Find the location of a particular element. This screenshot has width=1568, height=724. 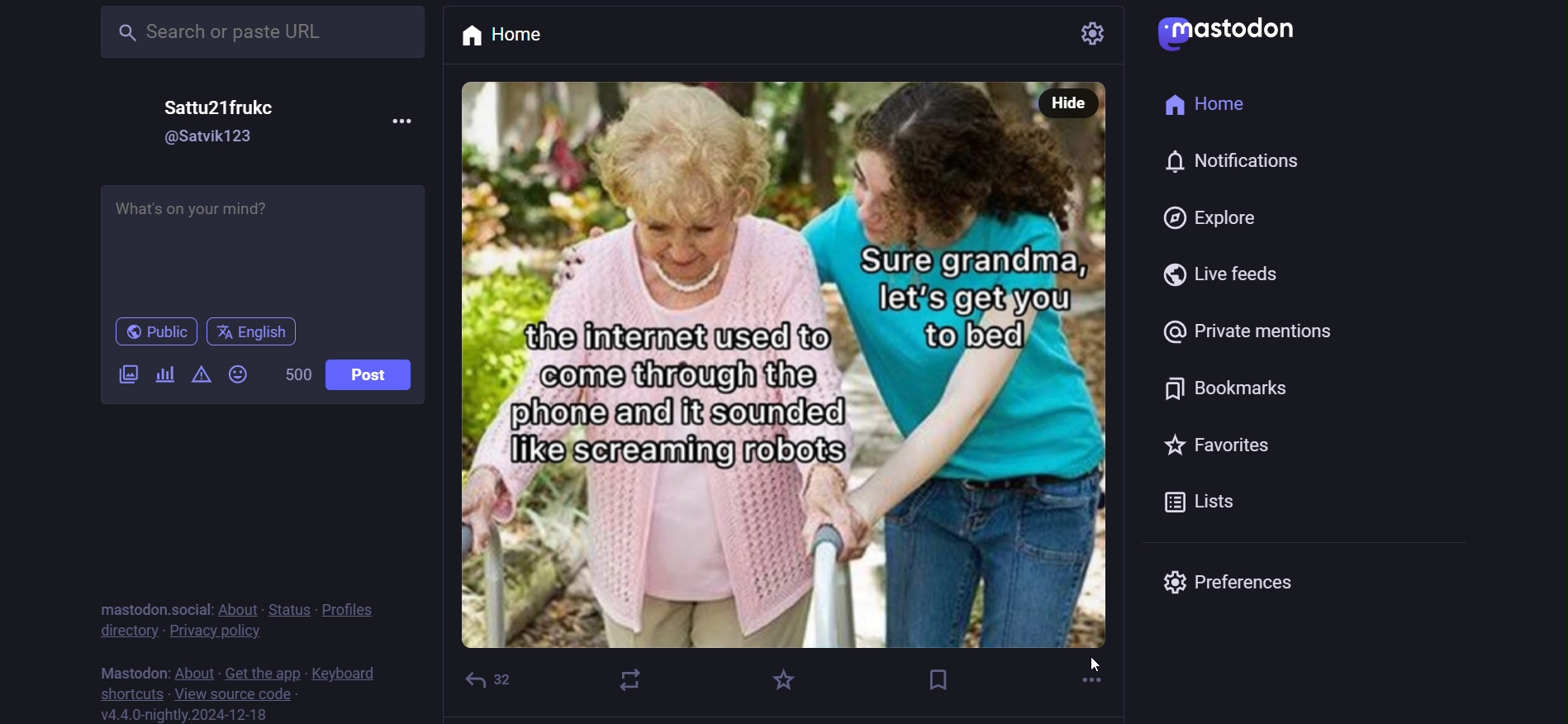

get the app is located at coordinates (264, 670).